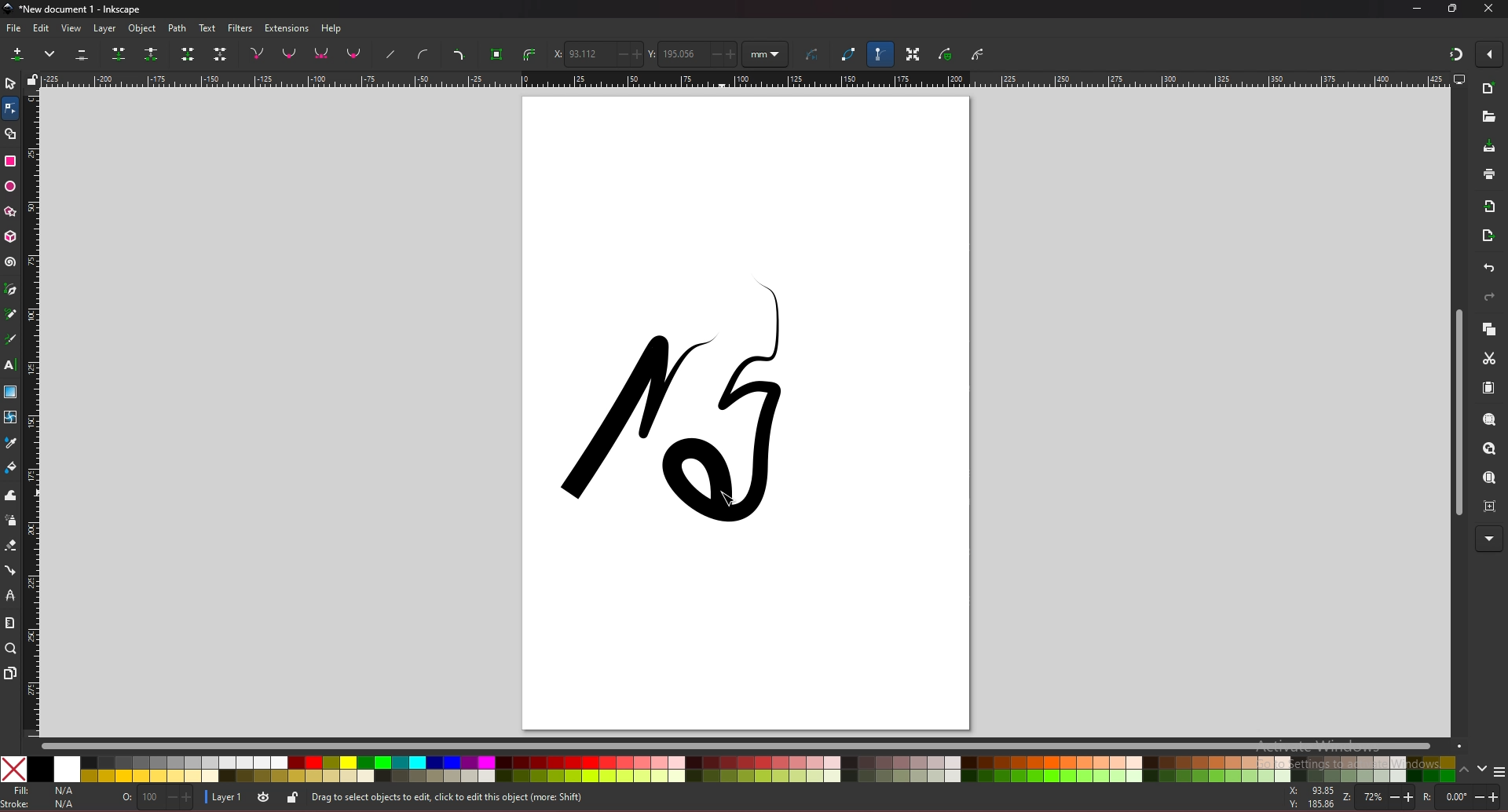 The image size is (1508, 812). What do you see at coordinates (1490, 358) in the screenshot?
I see `cut` at bounding box center [1490, 358].